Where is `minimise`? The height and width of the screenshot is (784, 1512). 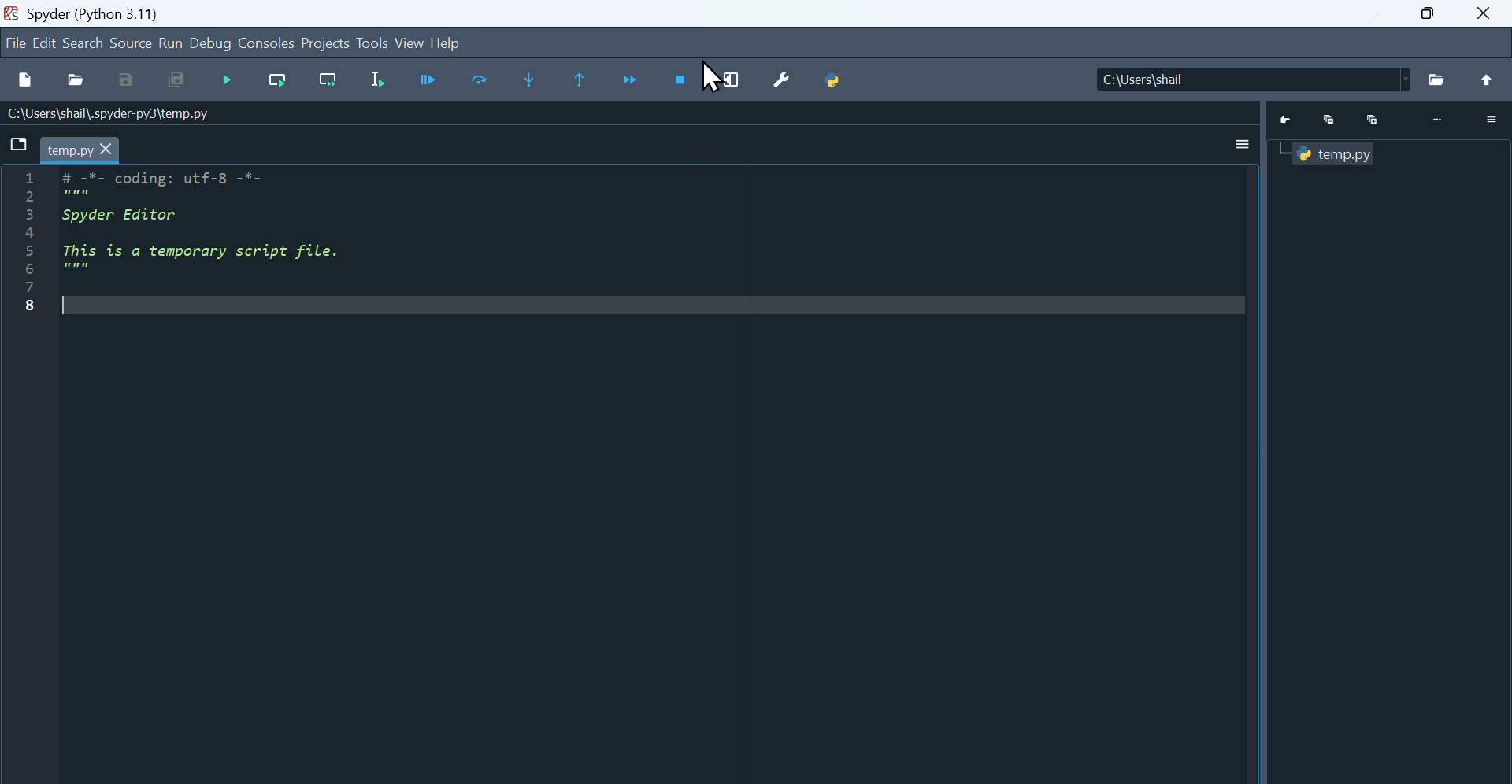 minimise is located at coordinates (1373, 13).